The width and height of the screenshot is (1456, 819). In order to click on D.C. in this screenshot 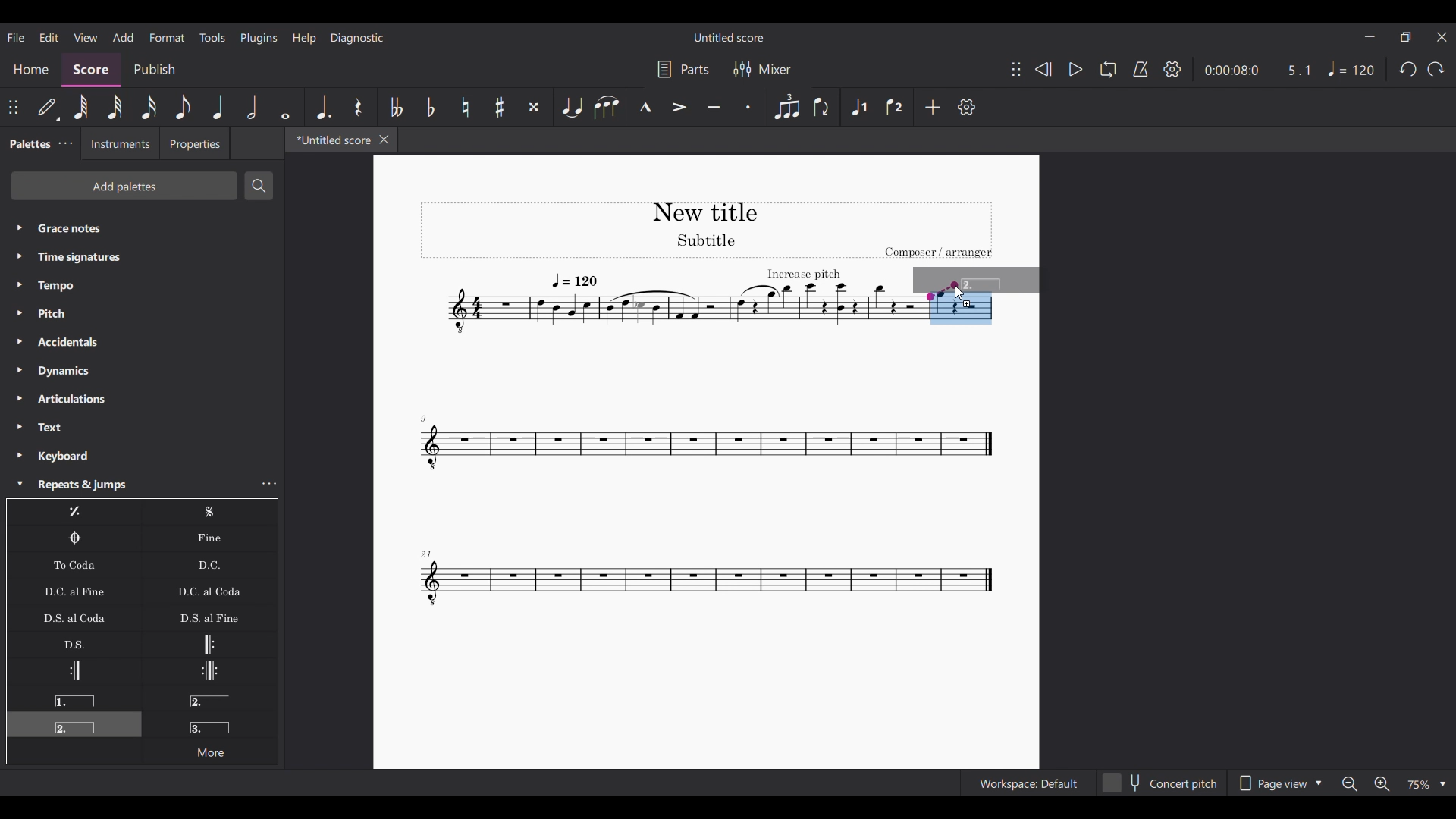, I will do `click(209, 565)`.